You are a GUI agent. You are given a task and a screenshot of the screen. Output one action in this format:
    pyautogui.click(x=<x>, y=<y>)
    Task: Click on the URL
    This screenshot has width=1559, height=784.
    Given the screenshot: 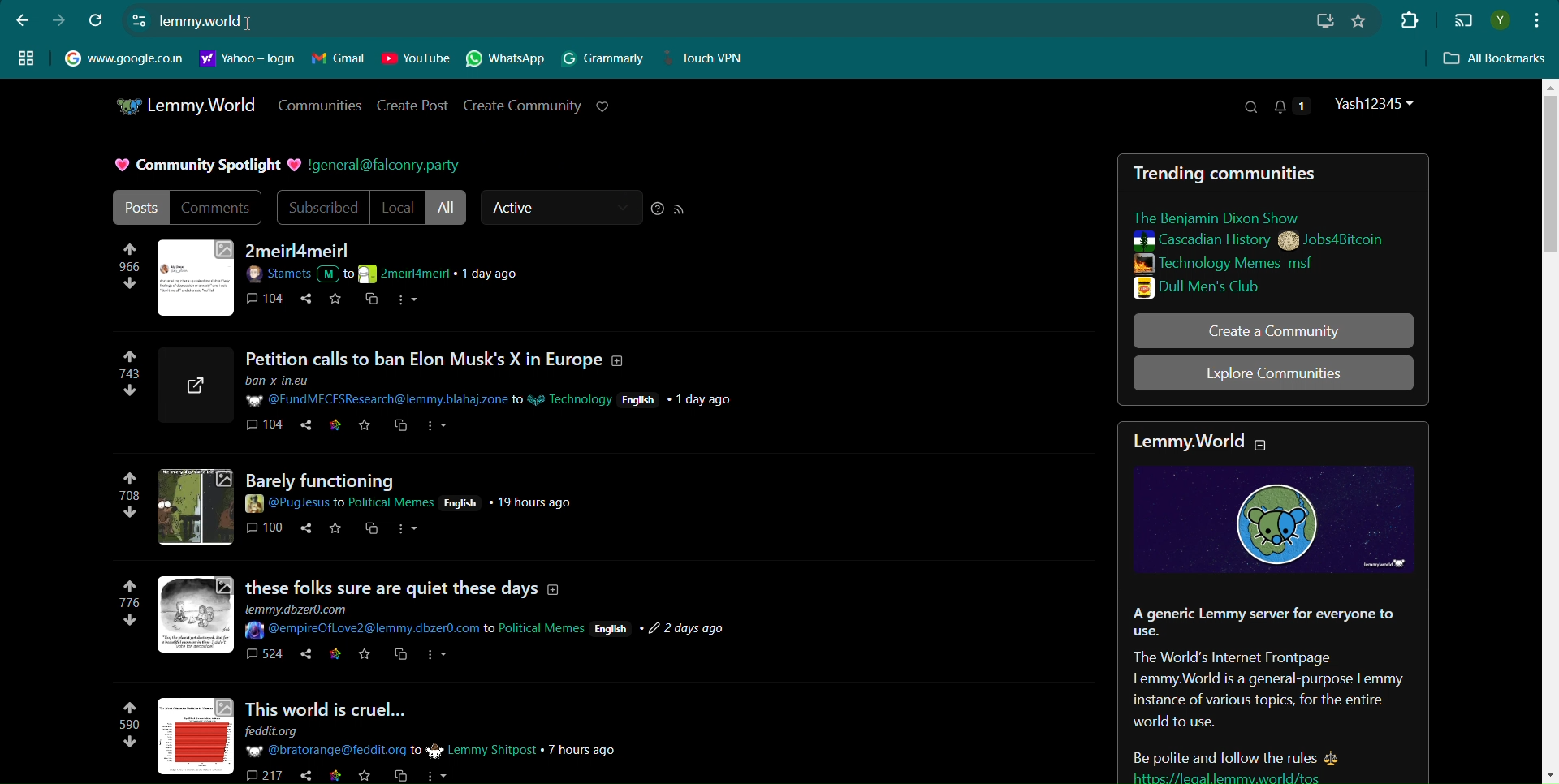 What is the action you would take?
    pyautogui.click(x=196, y=386)
    